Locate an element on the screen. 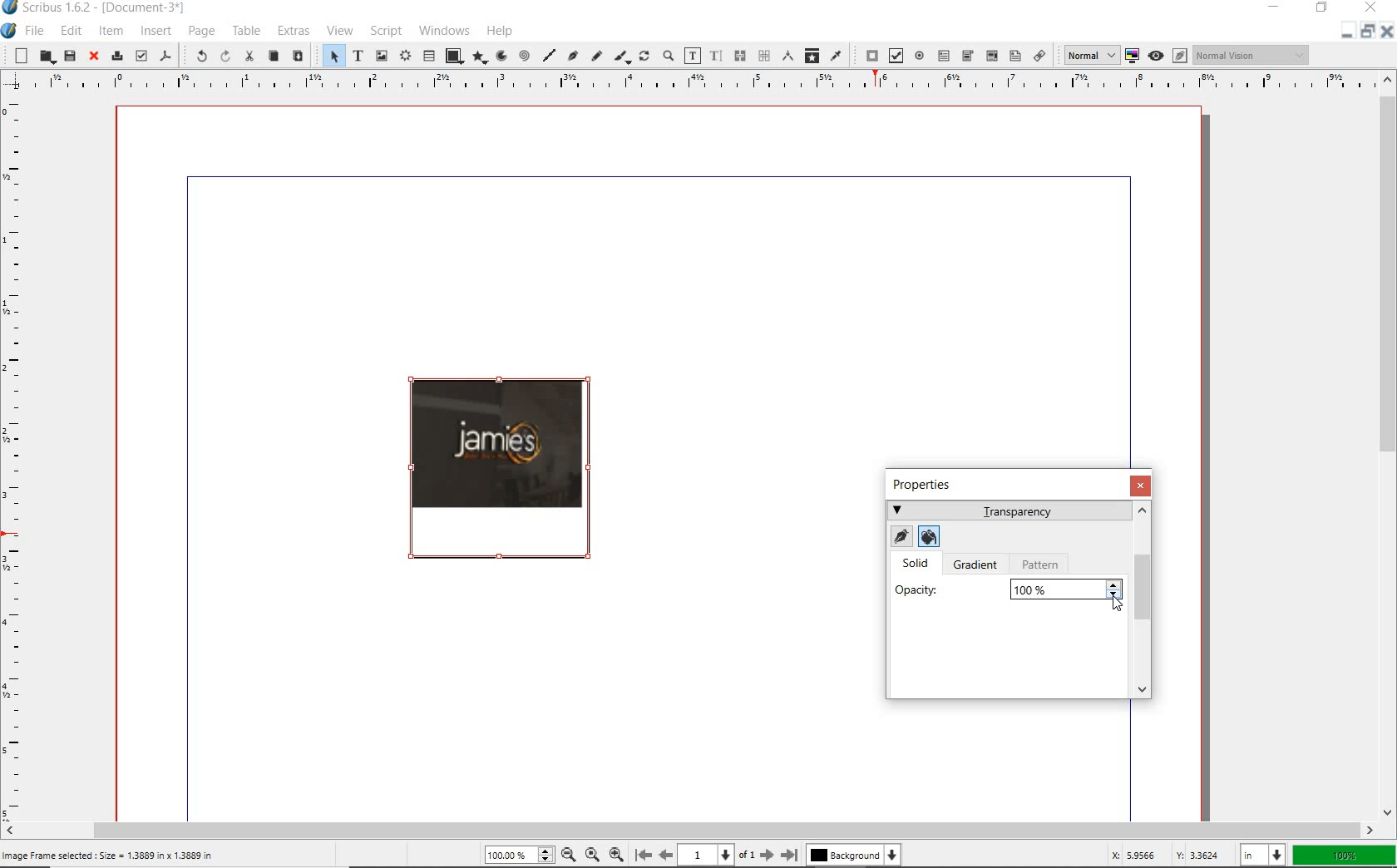  background is located at coordinates (853, 856).